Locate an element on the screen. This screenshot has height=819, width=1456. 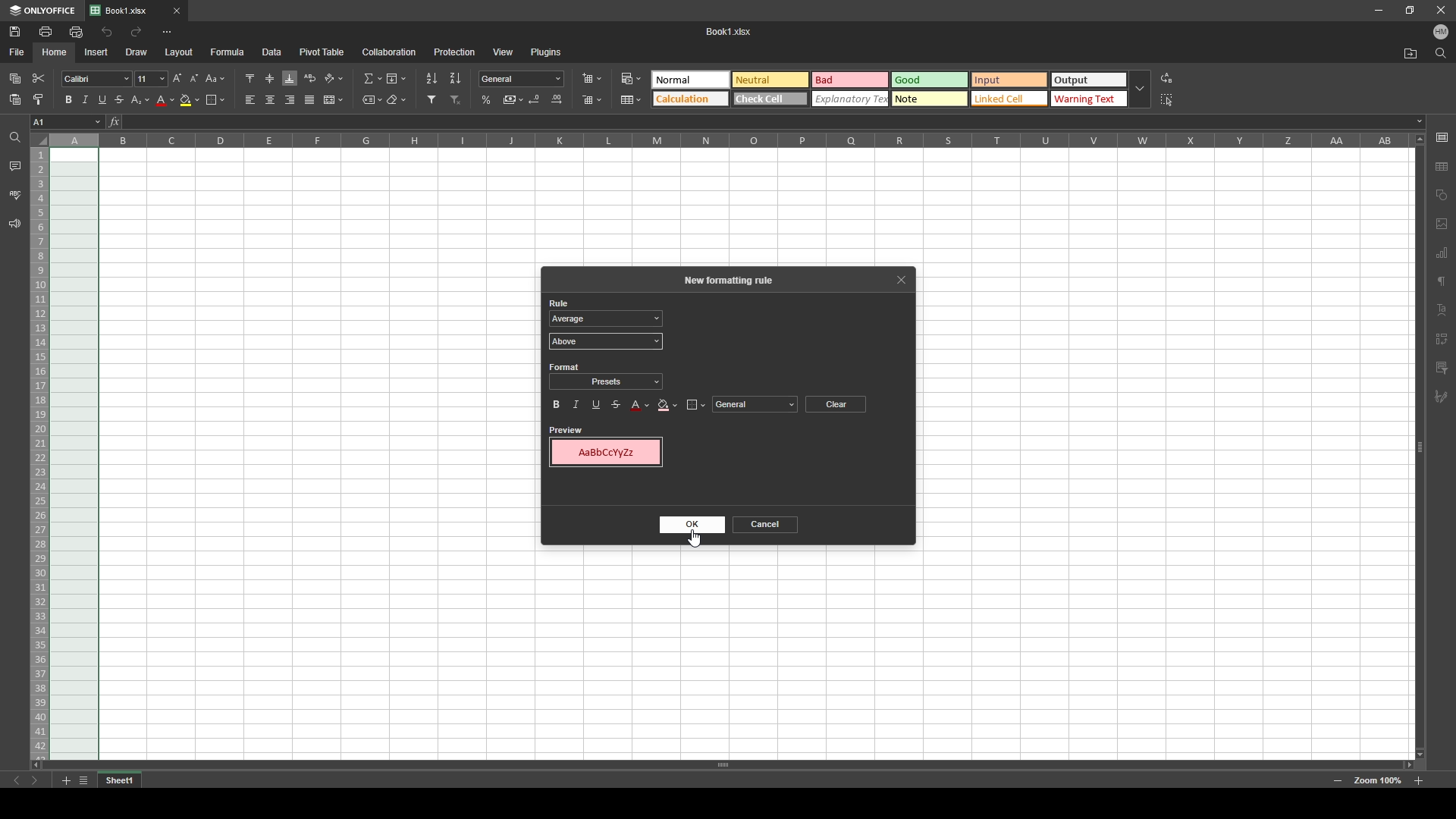
increase decimal is located at coordinates (557, 99).